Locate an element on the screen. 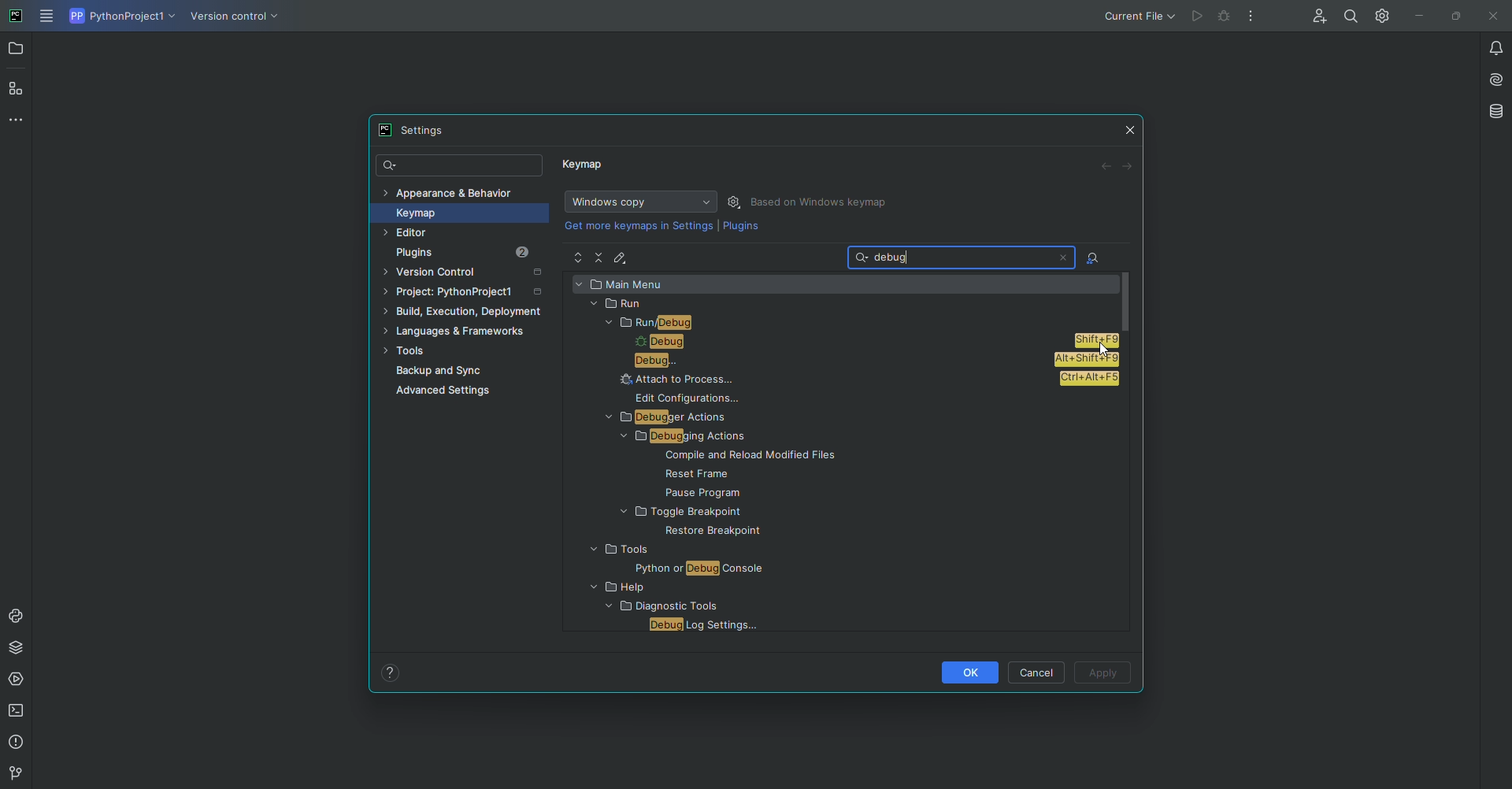 The width and height of the screenshot is (1512, 789). FILE NAME is located at coordinates (698, 532).